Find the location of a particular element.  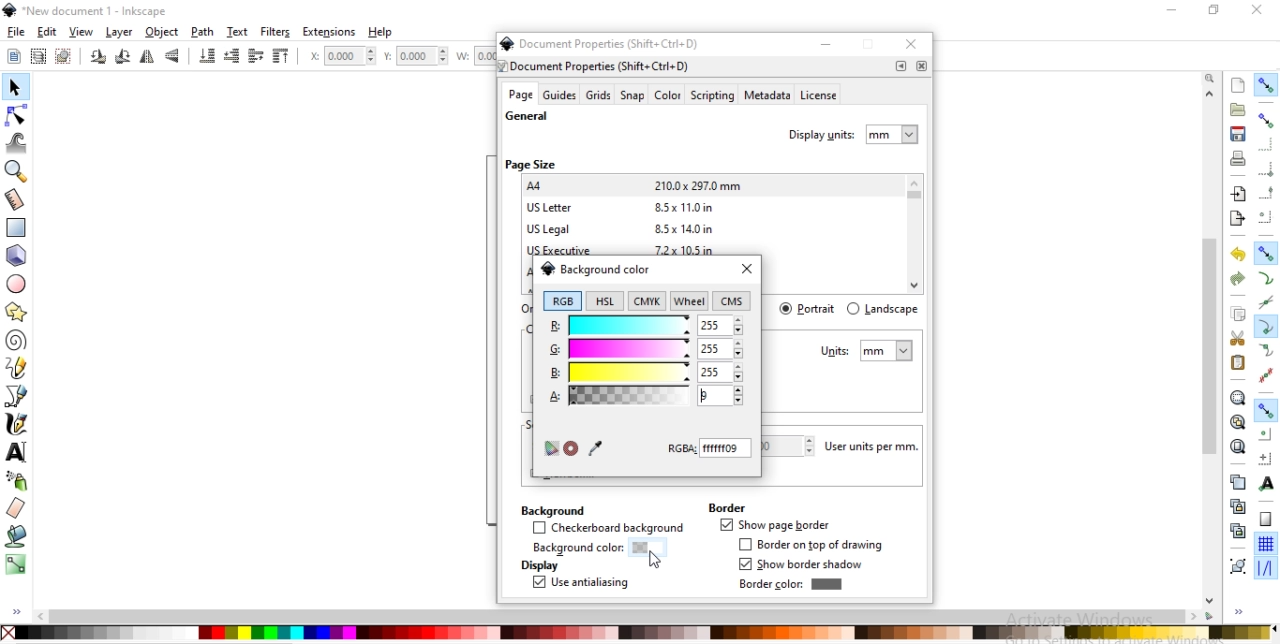

create s document with default template is located at coordinates (1239, 84).